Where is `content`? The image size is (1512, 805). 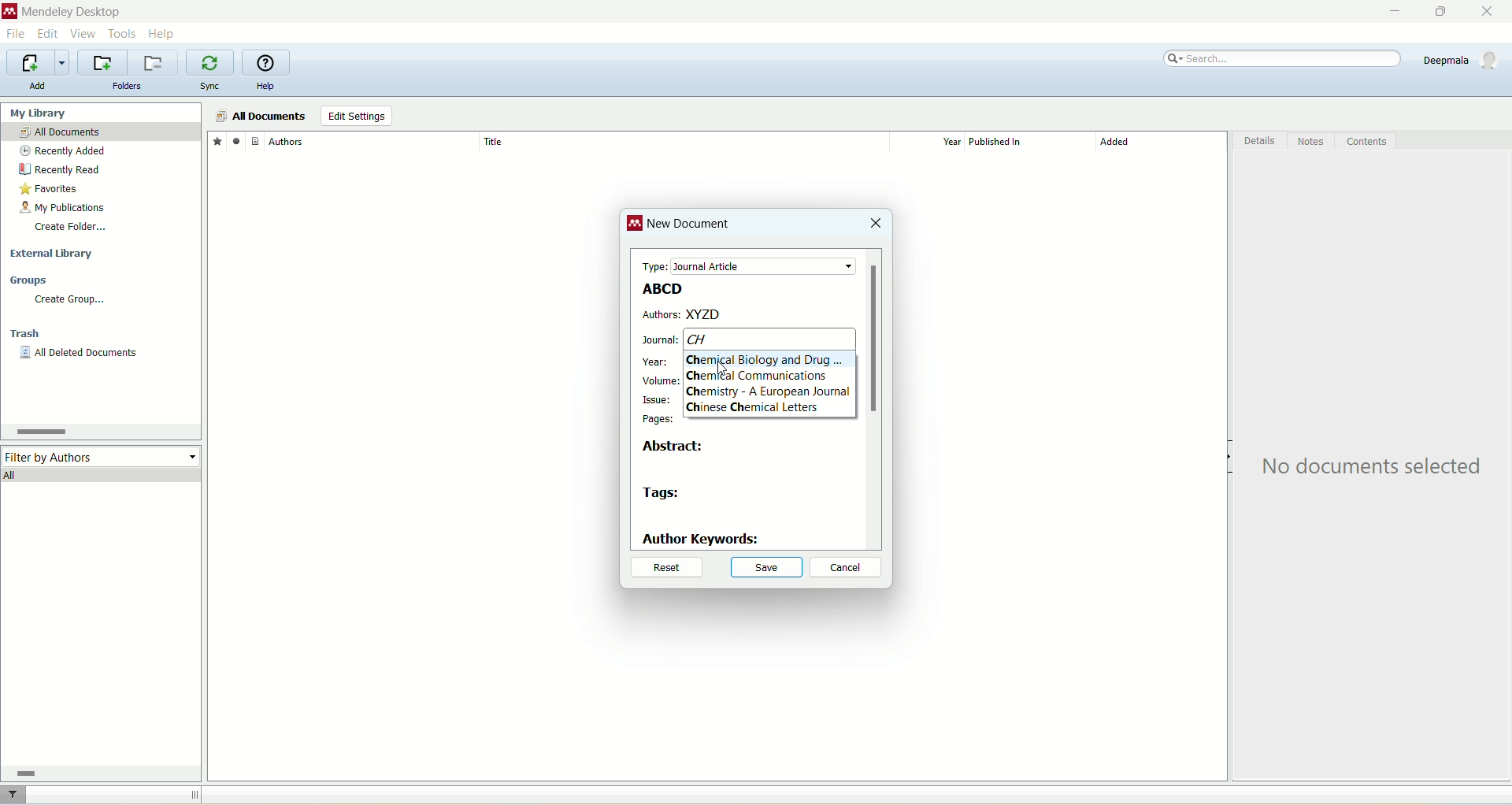
content is located at coordinates (1366, 142).